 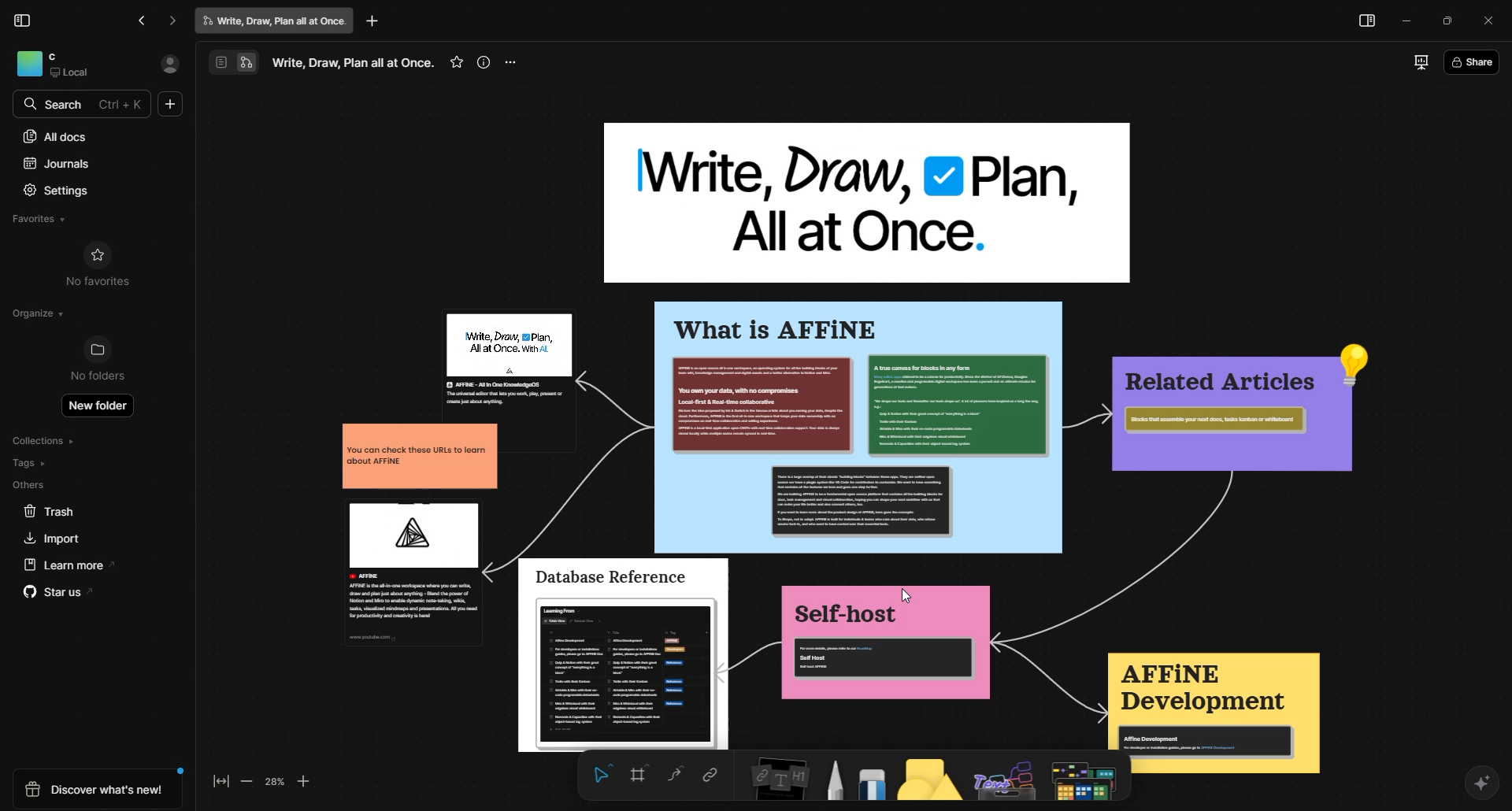 What do you see at coordinates (454, 62) in the screenshot?
I see `start` at bounding box center [454, 62].